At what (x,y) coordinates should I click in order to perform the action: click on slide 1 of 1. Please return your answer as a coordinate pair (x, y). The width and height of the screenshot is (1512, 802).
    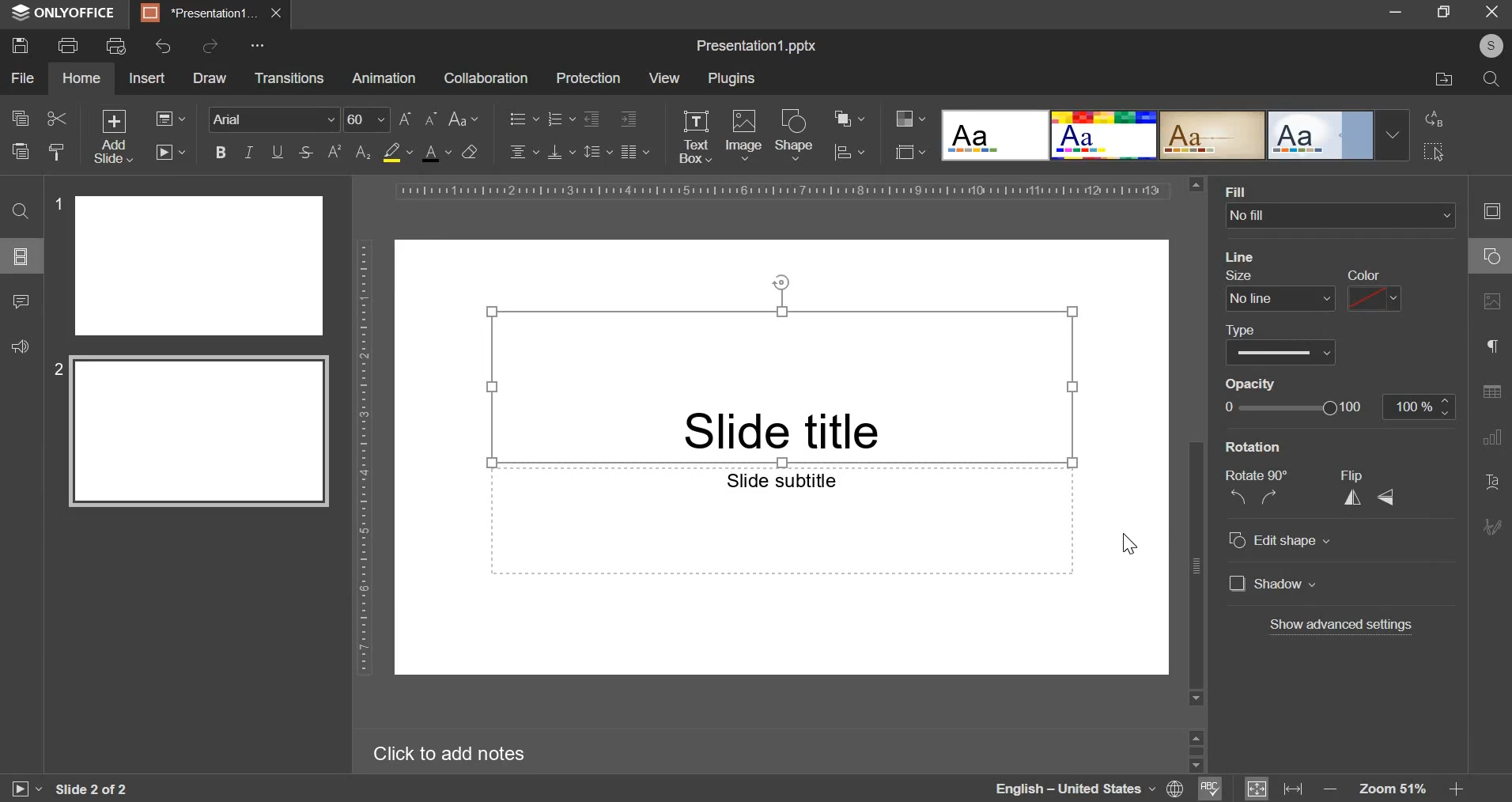
    Looking at the image, I should click on (89, 789).